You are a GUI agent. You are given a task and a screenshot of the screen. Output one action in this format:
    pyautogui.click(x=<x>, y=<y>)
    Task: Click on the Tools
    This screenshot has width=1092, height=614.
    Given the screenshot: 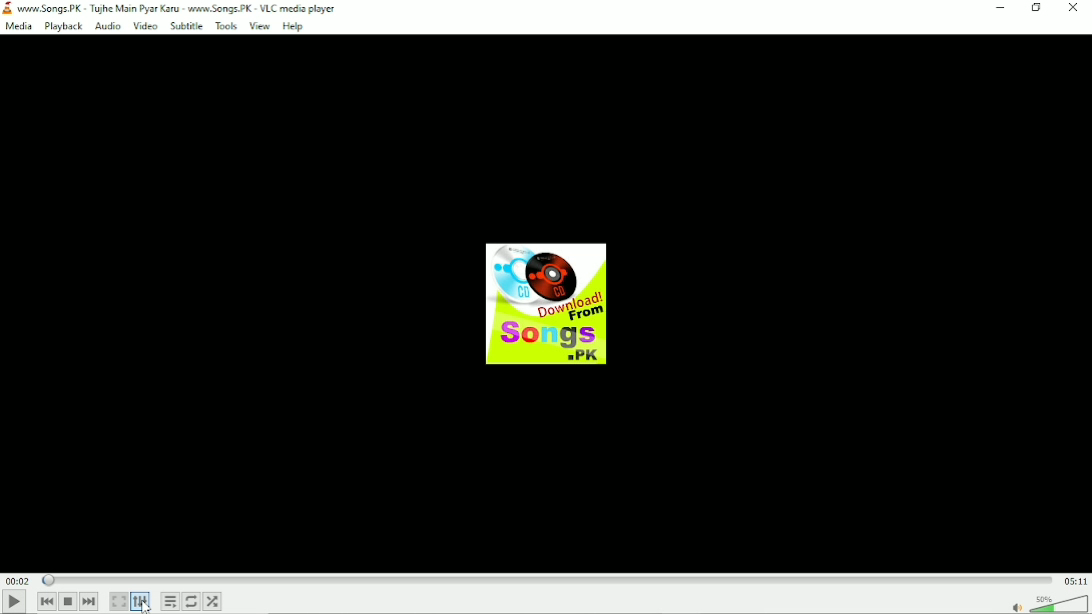 What is the action you would take?
    pyautogui.click(x=225, y=27)
    